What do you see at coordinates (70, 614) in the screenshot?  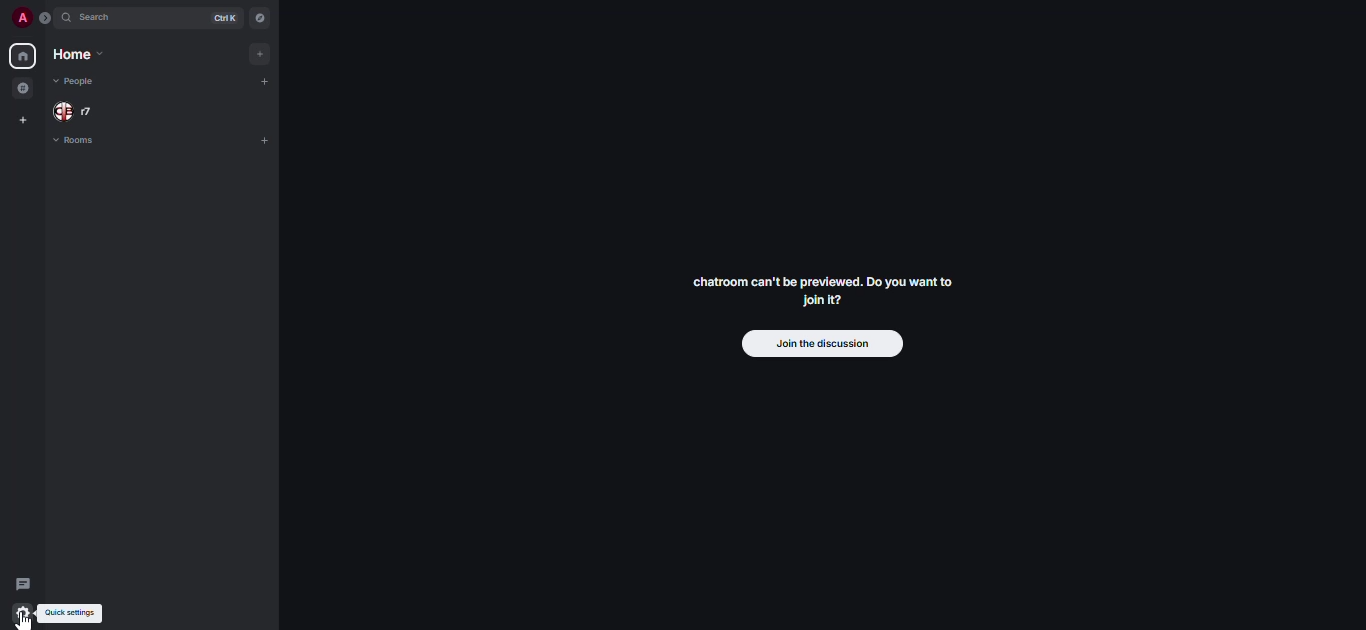 I see `quick settings` at bounding box center [70, 614].